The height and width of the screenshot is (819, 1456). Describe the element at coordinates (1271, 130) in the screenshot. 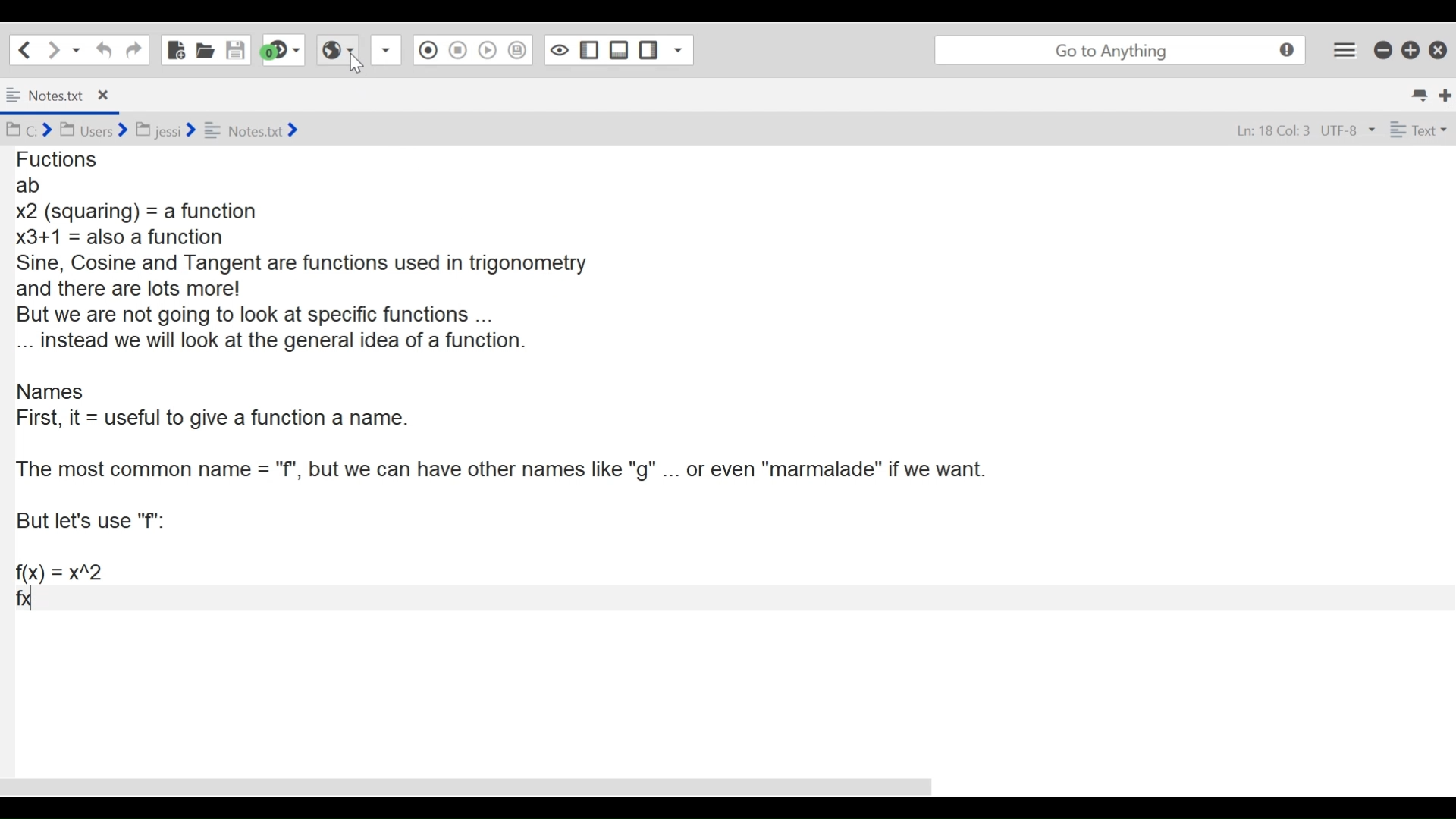

I see `ln: 18 col:3` at that location.